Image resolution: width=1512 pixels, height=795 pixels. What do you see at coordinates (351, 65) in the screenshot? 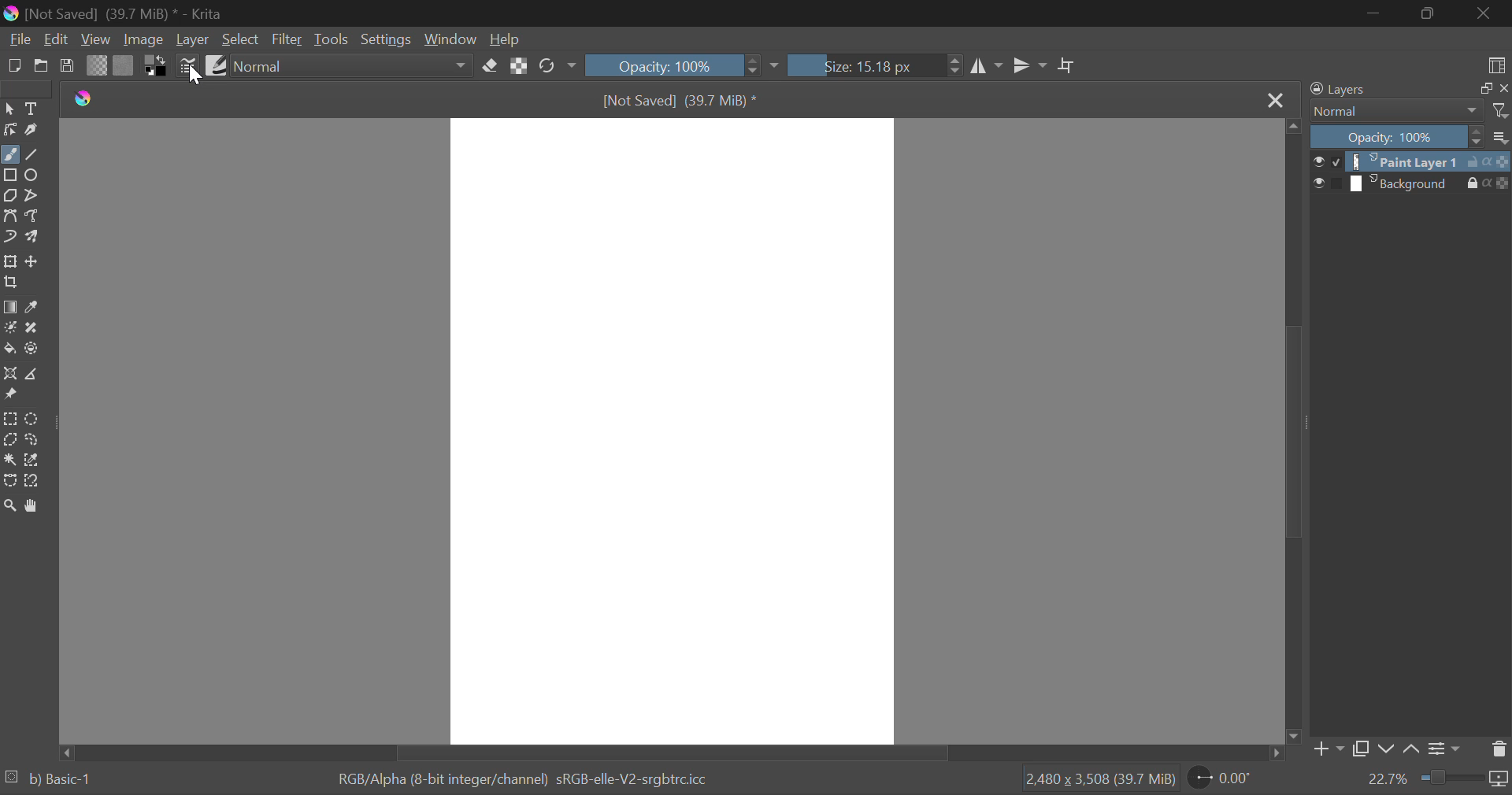
I see `Blending Mode` at bounding box center [351, 65].